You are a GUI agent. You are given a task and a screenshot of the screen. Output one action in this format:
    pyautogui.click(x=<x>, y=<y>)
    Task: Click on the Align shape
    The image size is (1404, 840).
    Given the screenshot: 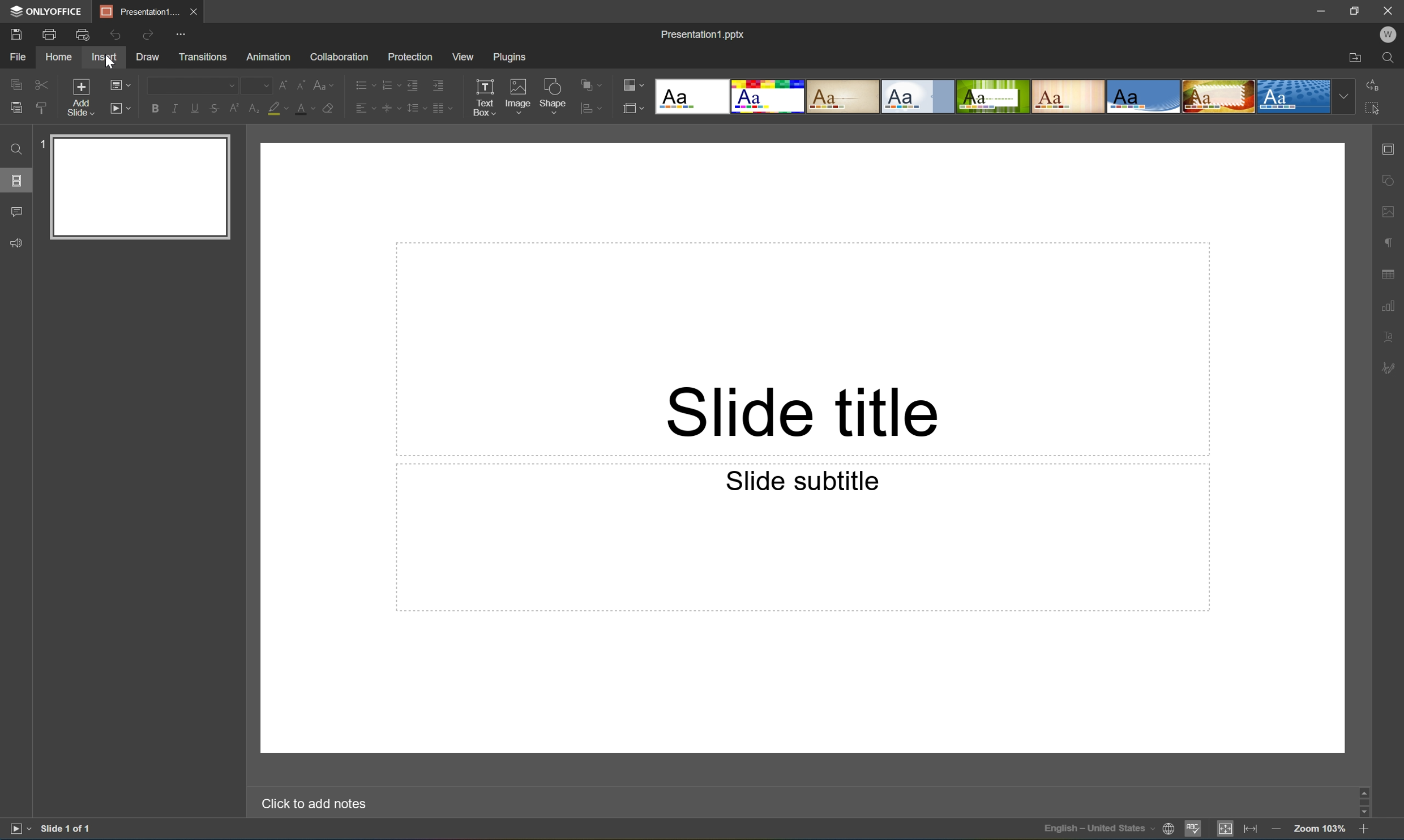 What is the action you would take?
    pyautogui.click(x=594, y=109)
    